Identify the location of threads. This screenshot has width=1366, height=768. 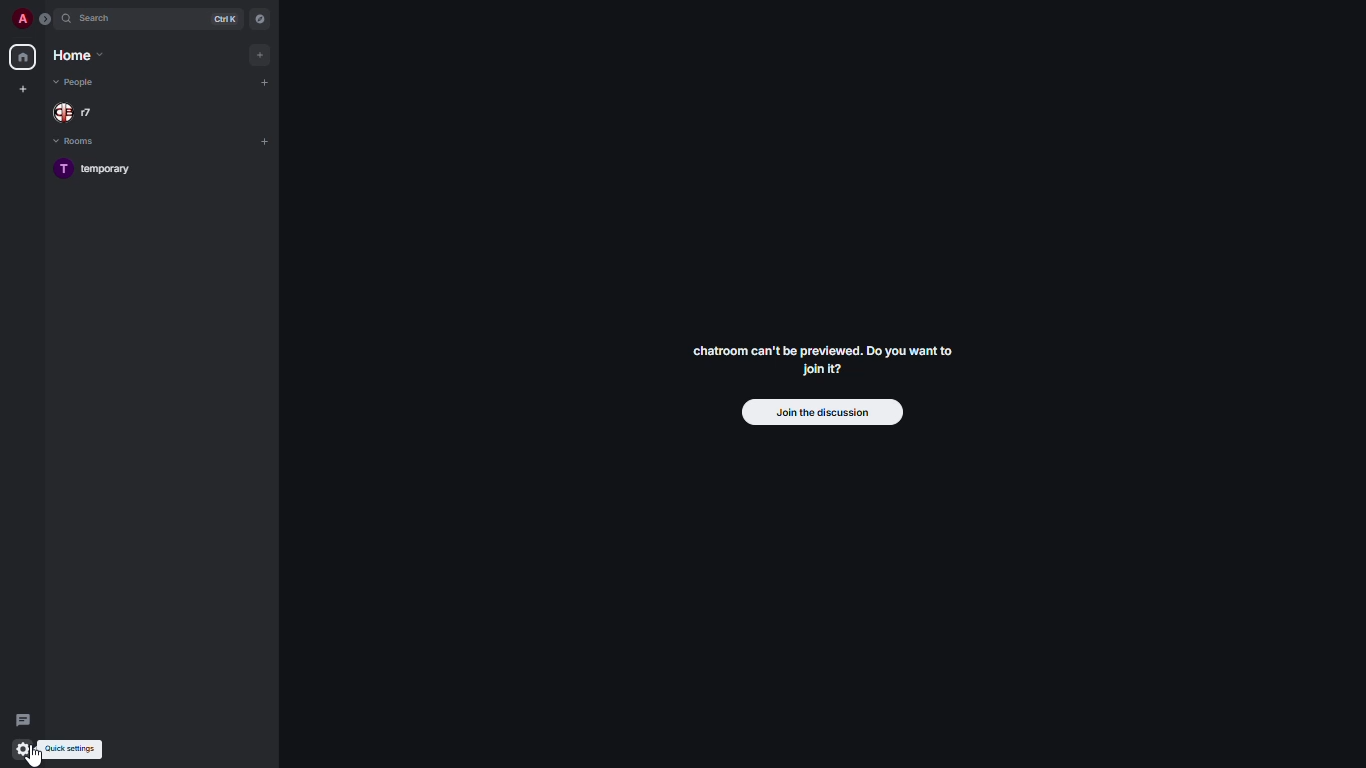
(24, 718).